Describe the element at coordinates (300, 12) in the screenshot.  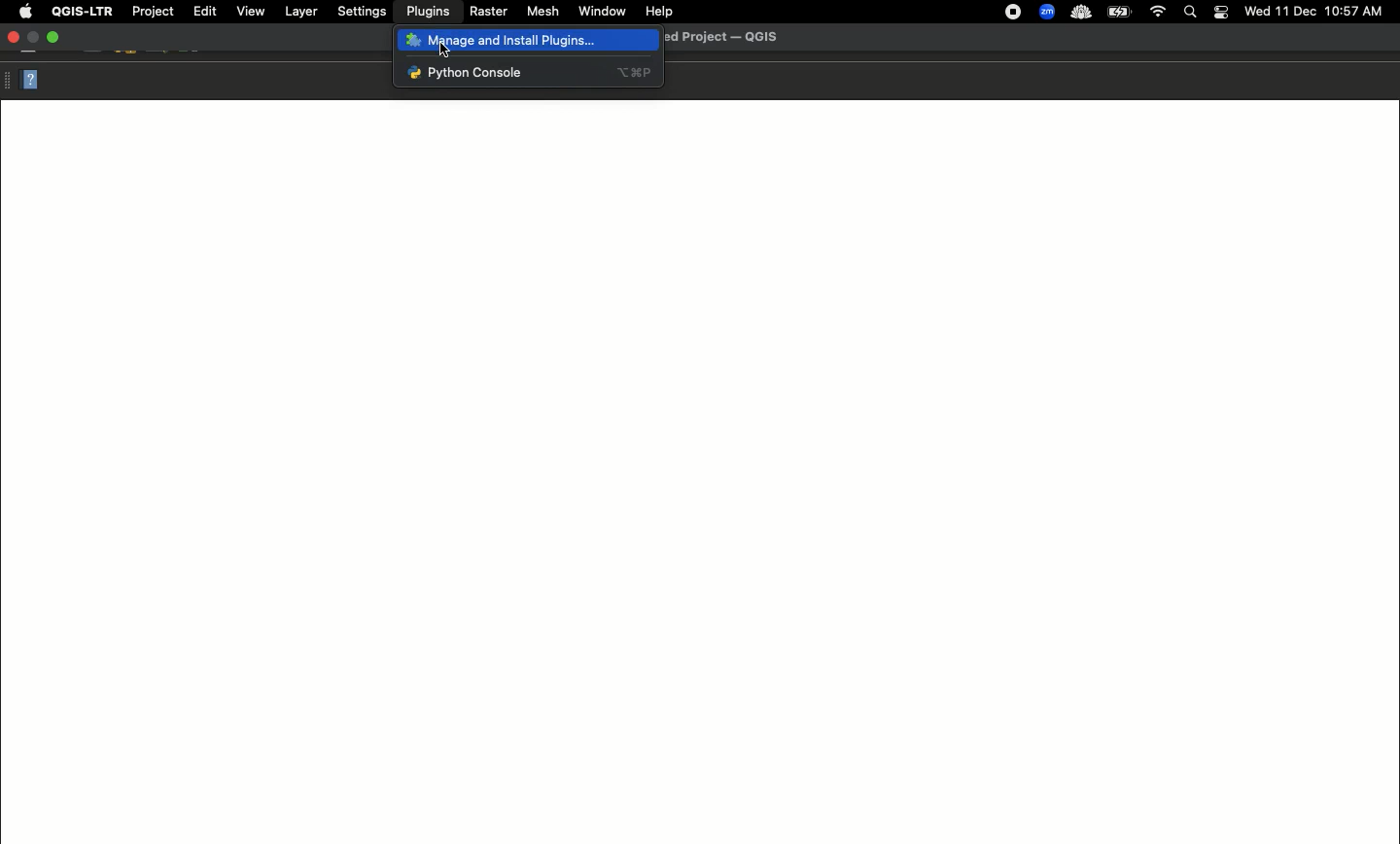
I see `Layer` at that location.